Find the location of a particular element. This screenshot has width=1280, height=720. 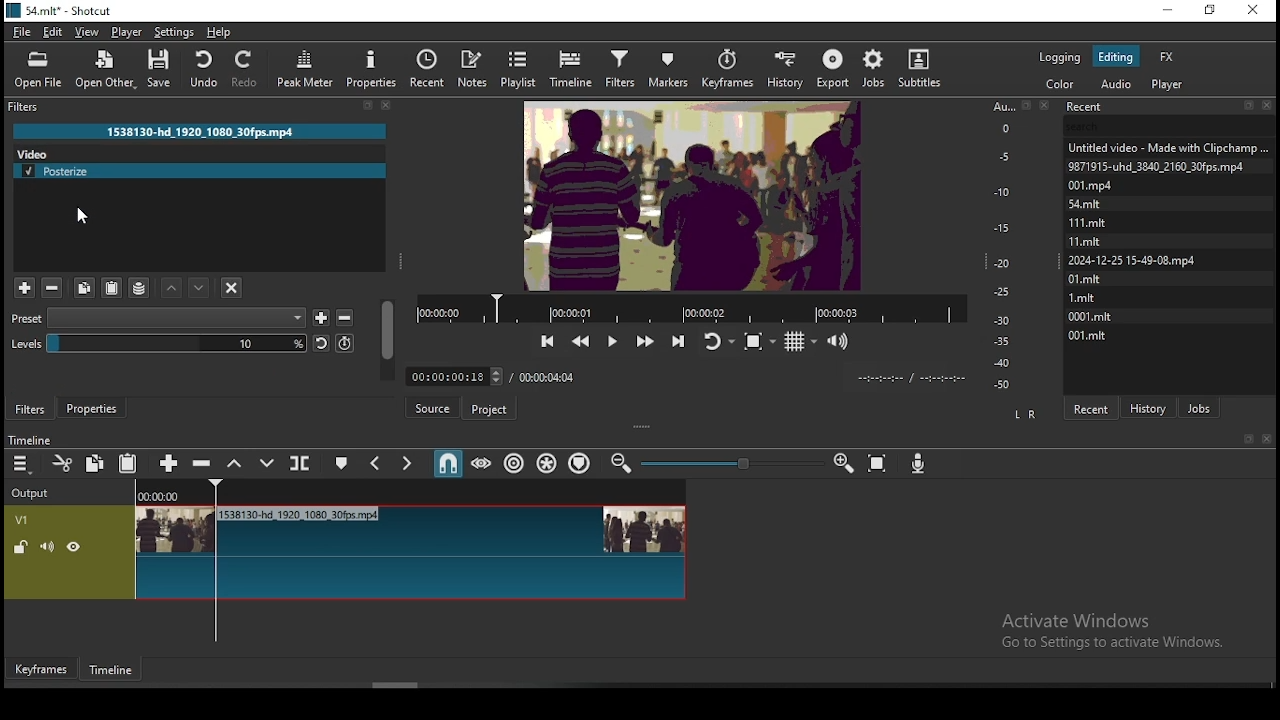

view is located at coordinates (87, 31).